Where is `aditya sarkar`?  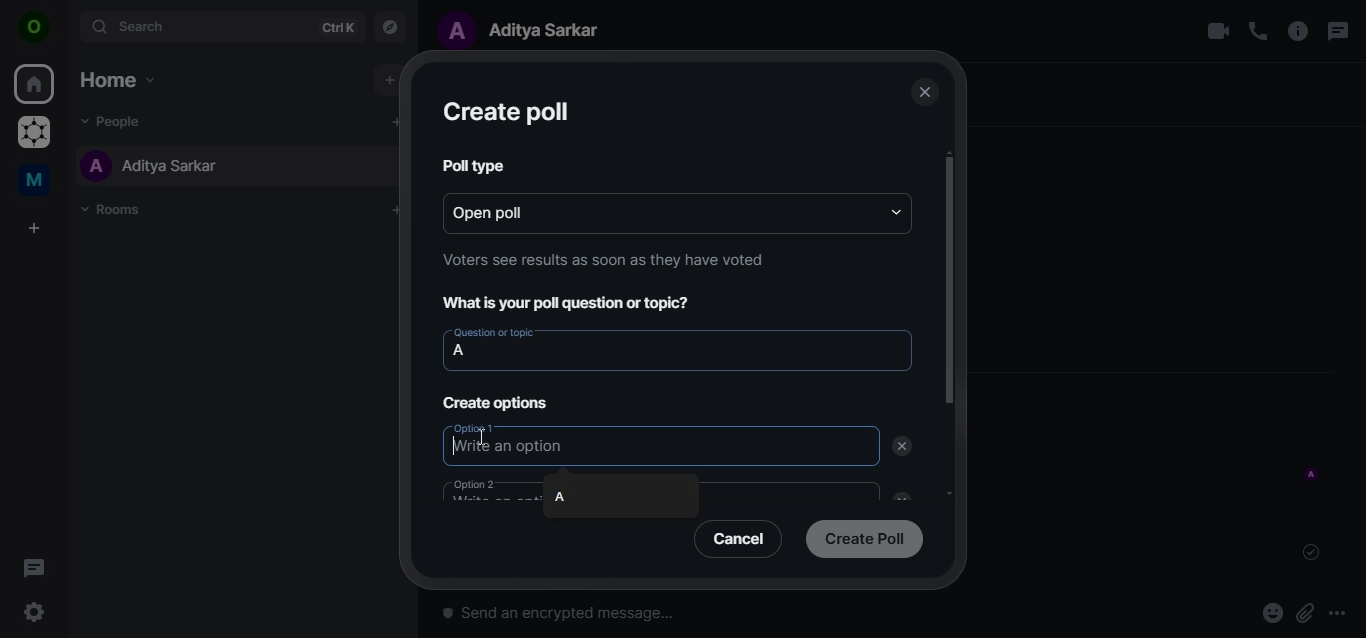
aditya sarkar is located at coordinates (528, 29).